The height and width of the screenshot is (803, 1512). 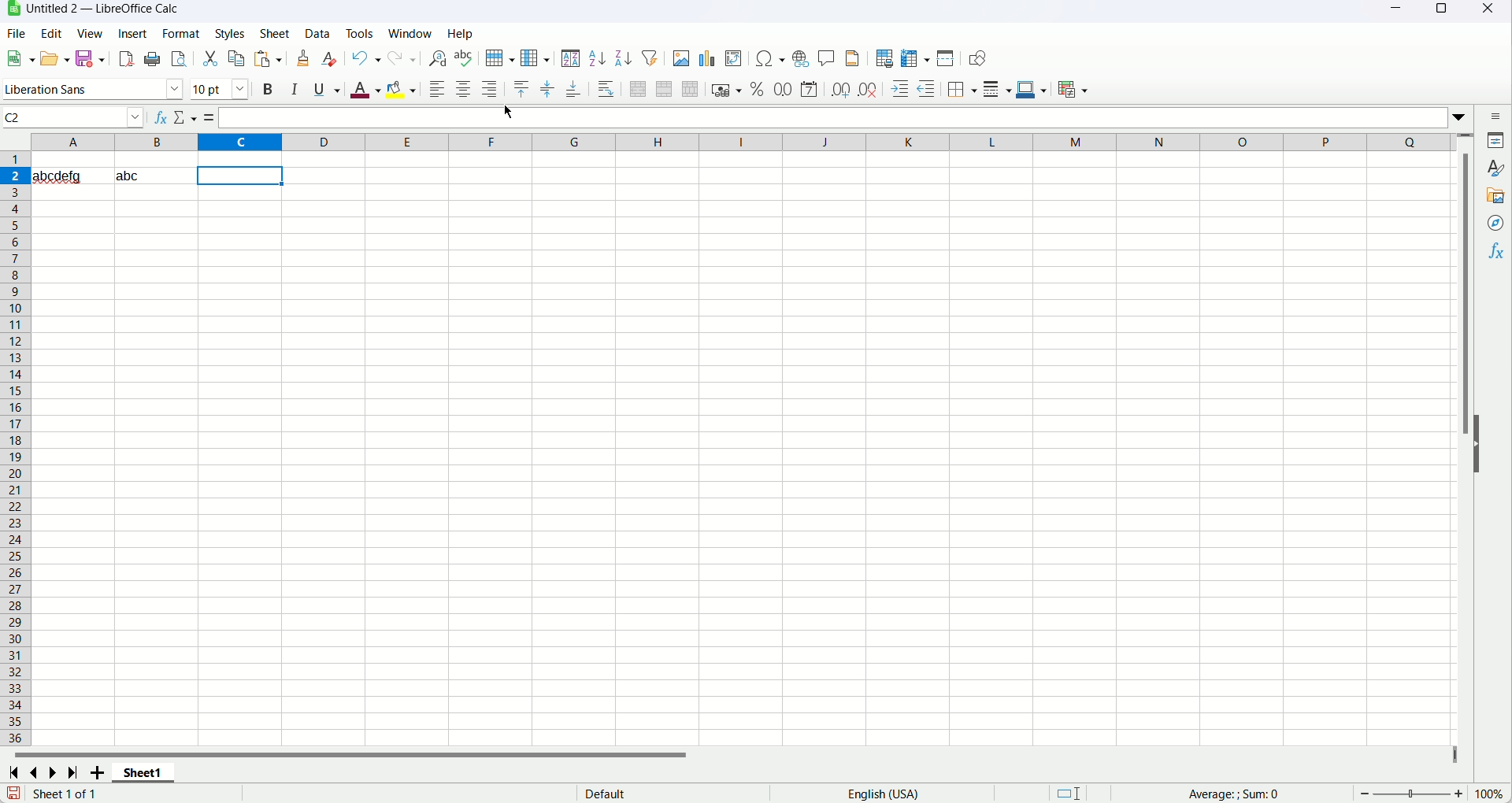 I want to click on decrease indent, so click(x=927, y=88).